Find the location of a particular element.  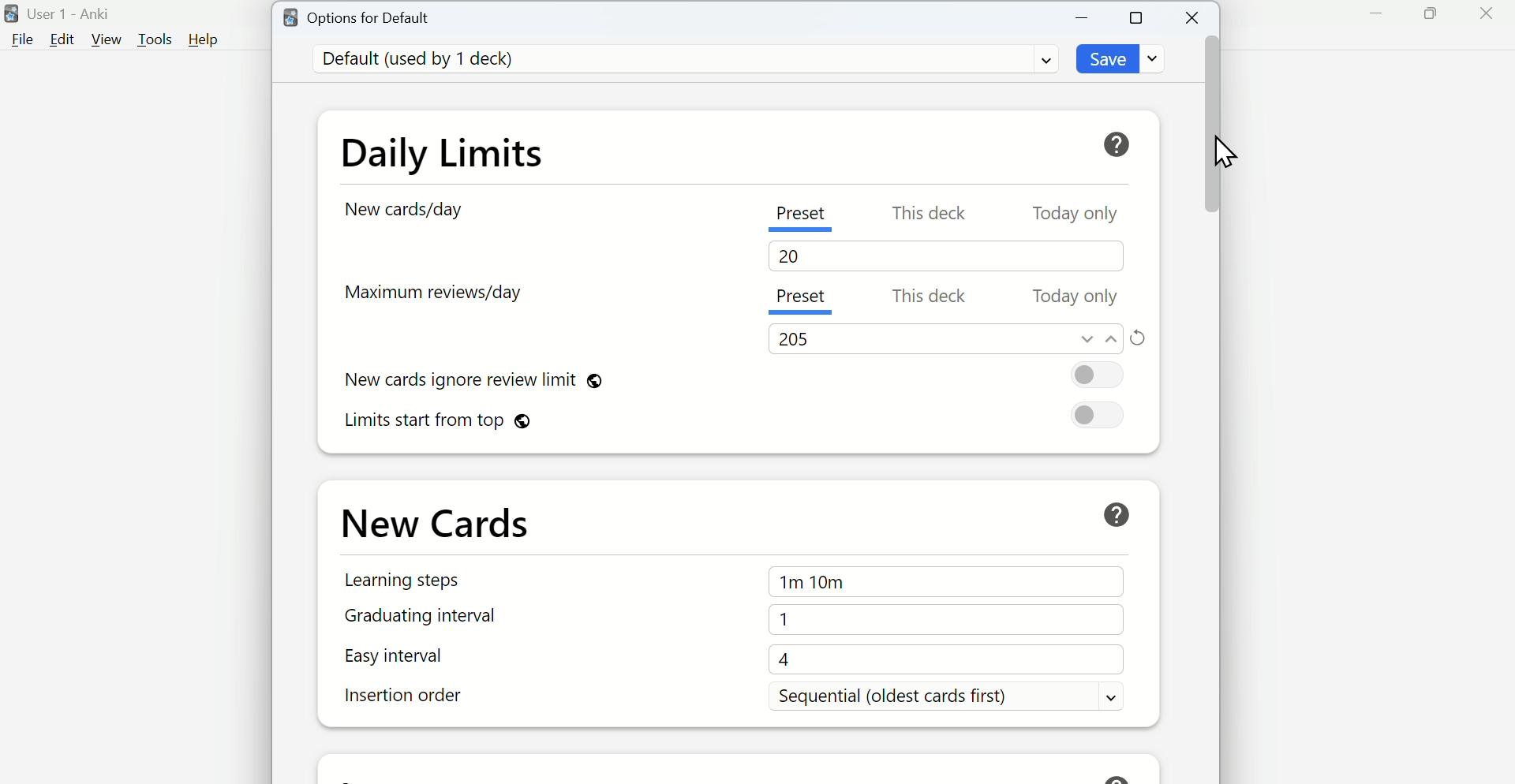

New Cards is located at coordinates (436, 521).